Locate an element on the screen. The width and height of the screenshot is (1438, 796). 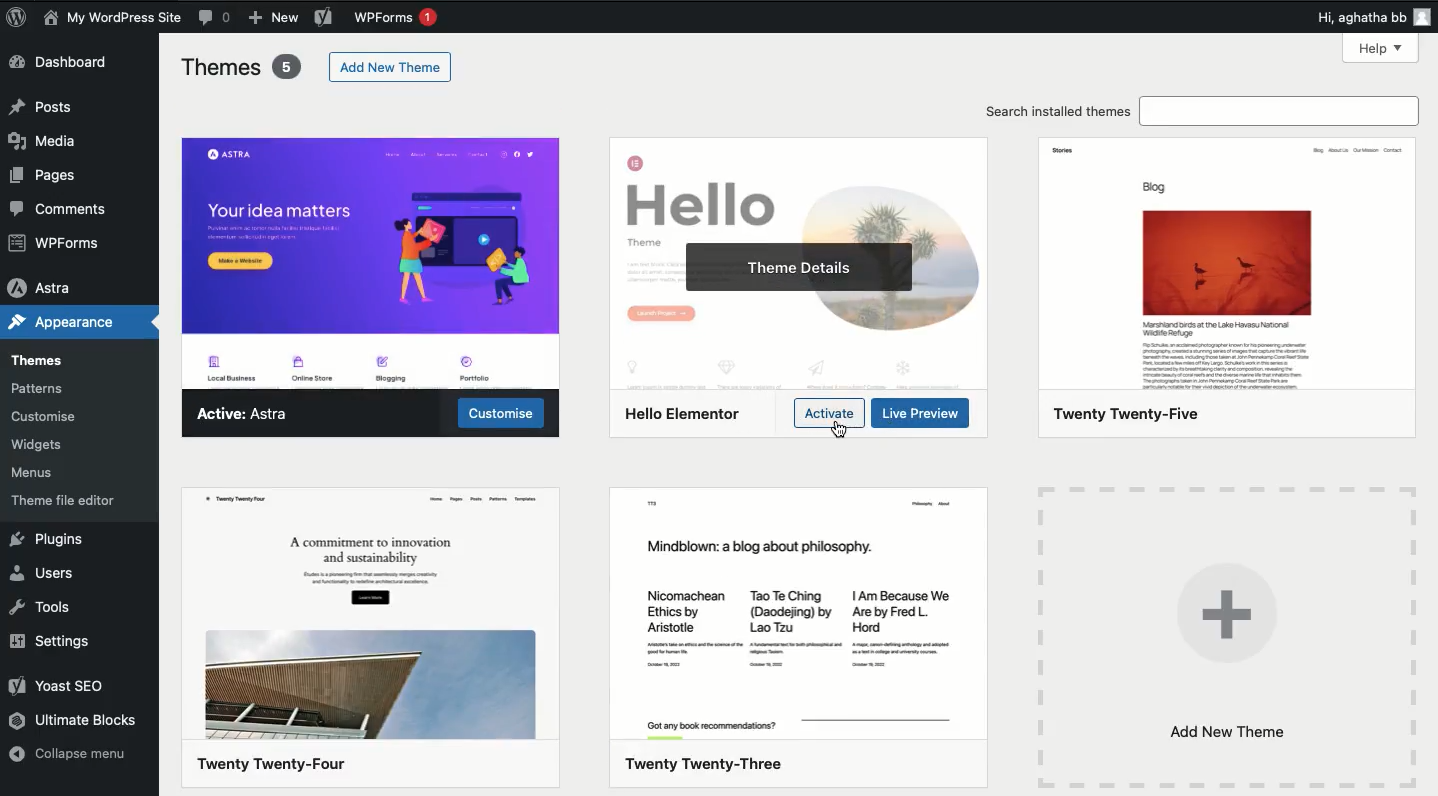
Comments is located at coordinates (215, 18).